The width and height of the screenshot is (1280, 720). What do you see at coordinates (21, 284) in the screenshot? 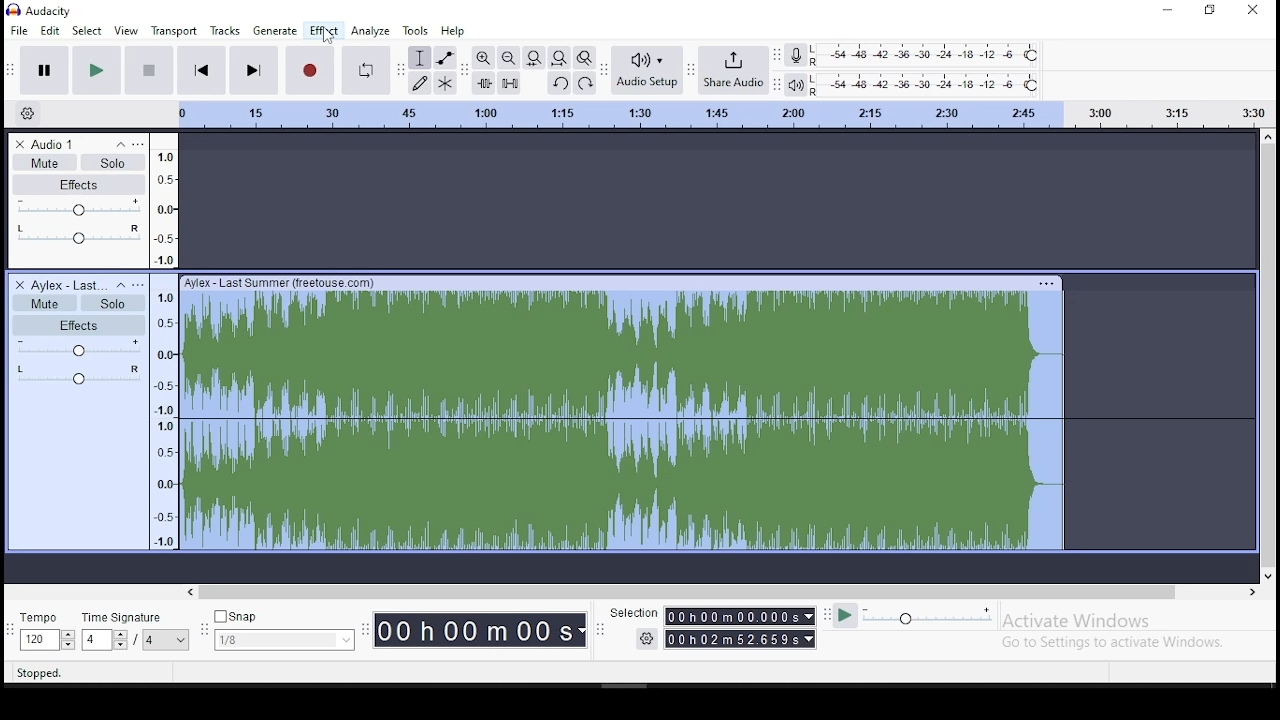
I see `delete track` at bounding box center [21, 284].